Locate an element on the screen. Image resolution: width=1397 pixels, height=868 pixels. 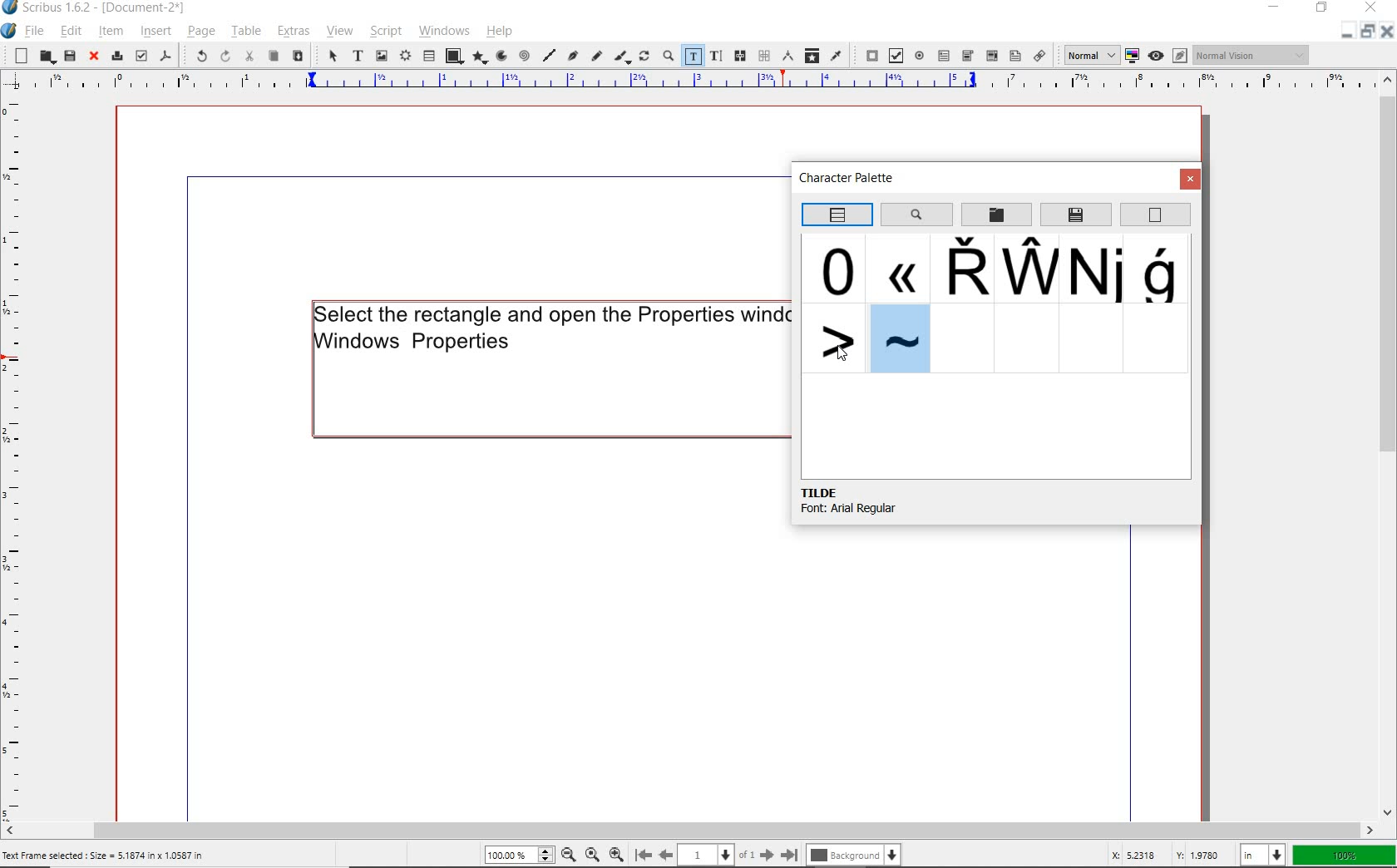
text frame is located at coordinates (358, 57).